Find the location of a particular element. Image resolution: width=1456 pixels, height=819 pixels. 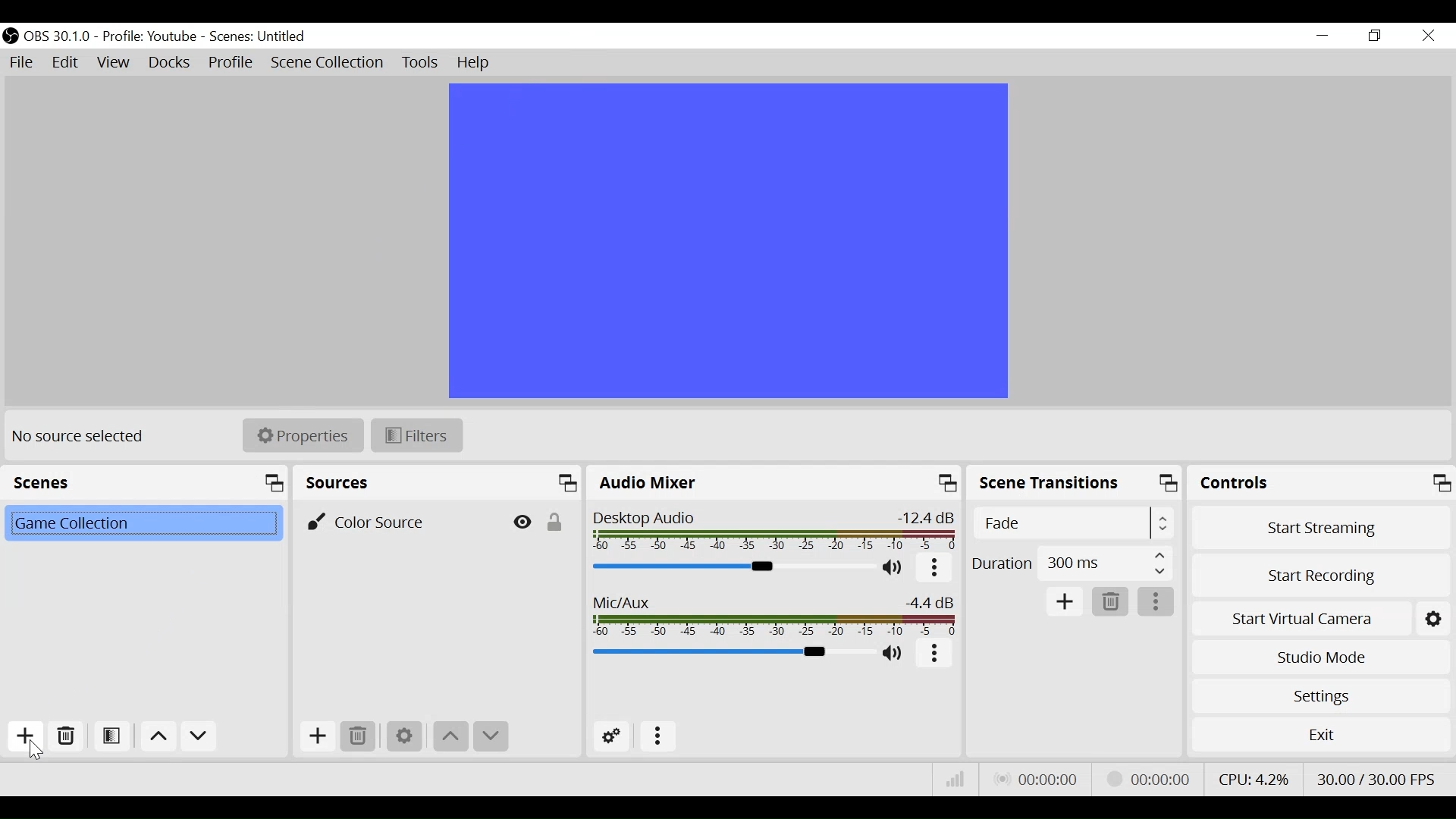

Settings is located at coordinates (1320, 695).